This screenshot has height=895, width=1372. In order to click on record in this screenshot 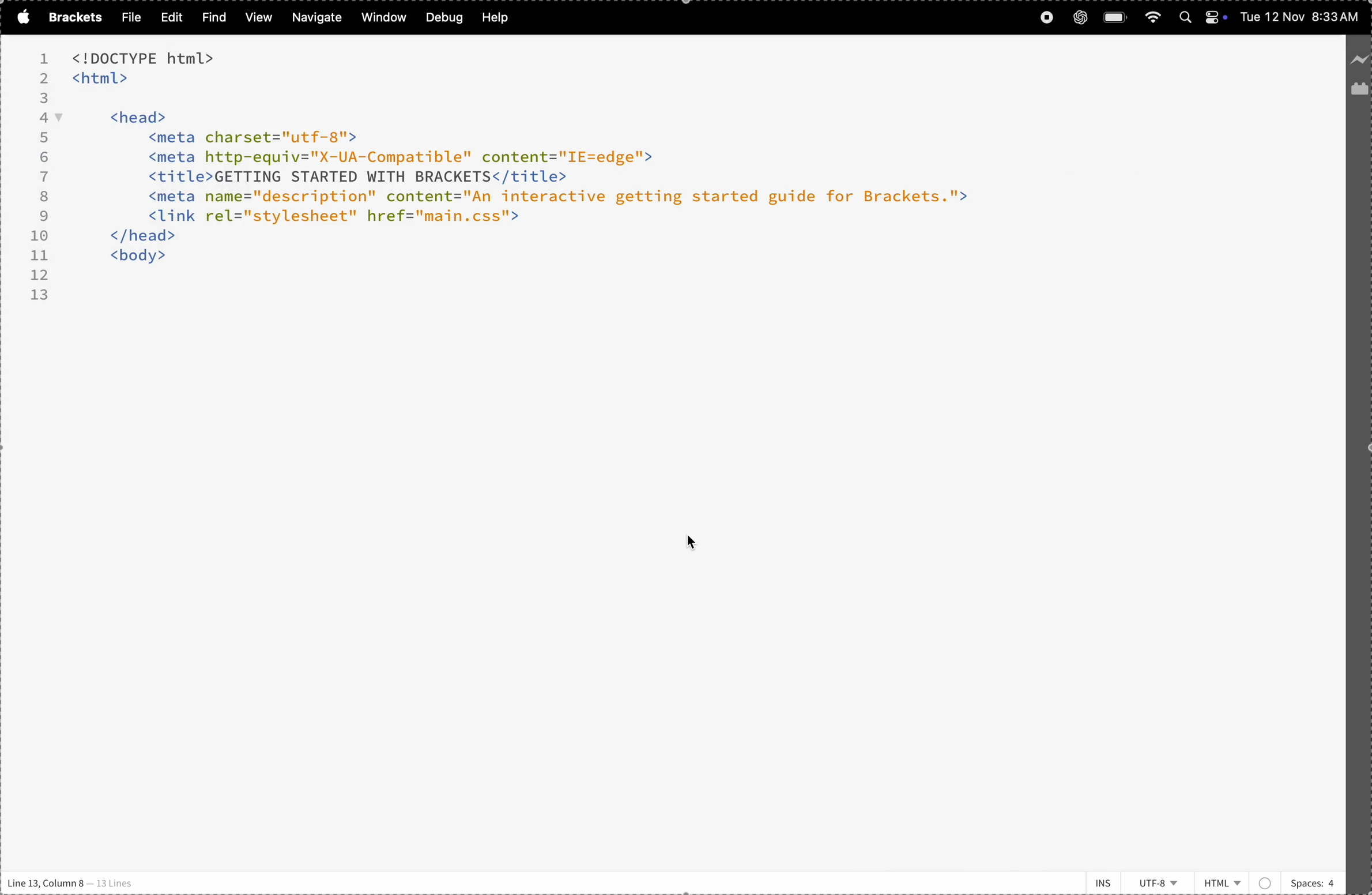, I will do `click(1046, 18)`.